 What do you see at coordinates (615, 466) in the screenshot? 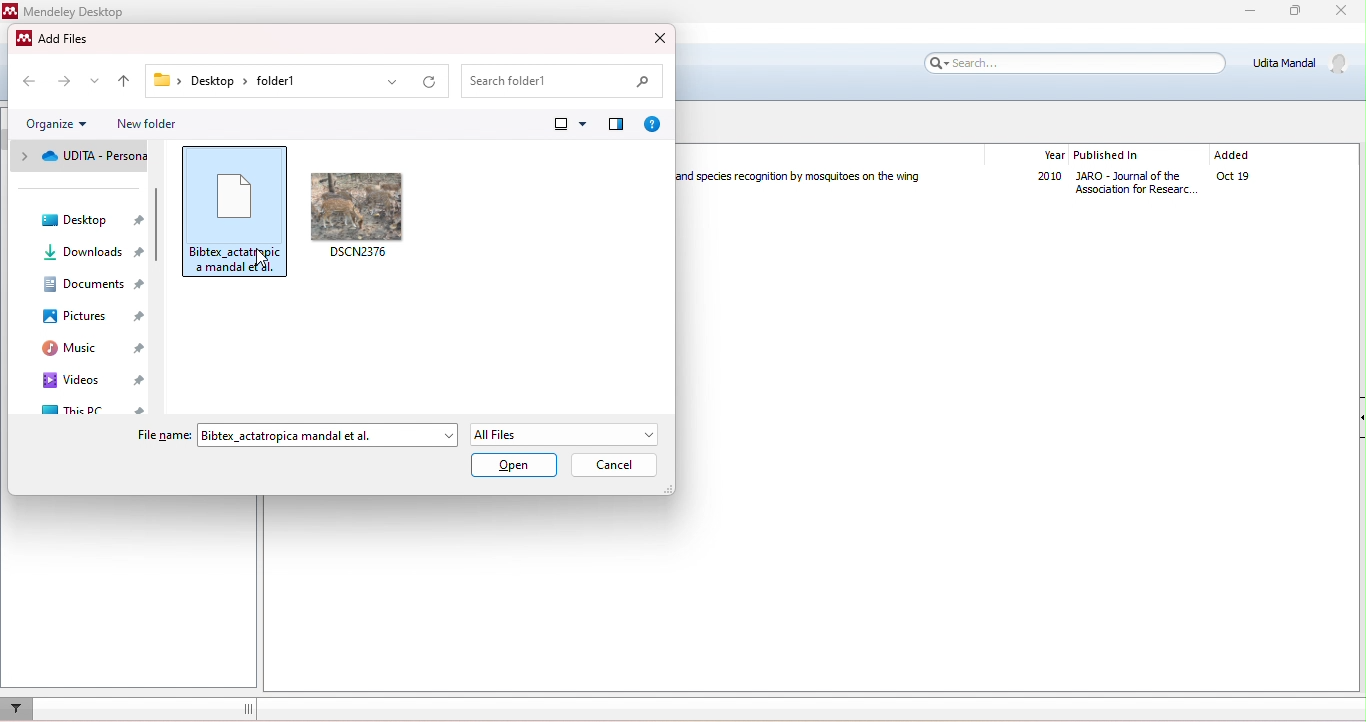
I see `cancel` at bounding box center [615, 466].